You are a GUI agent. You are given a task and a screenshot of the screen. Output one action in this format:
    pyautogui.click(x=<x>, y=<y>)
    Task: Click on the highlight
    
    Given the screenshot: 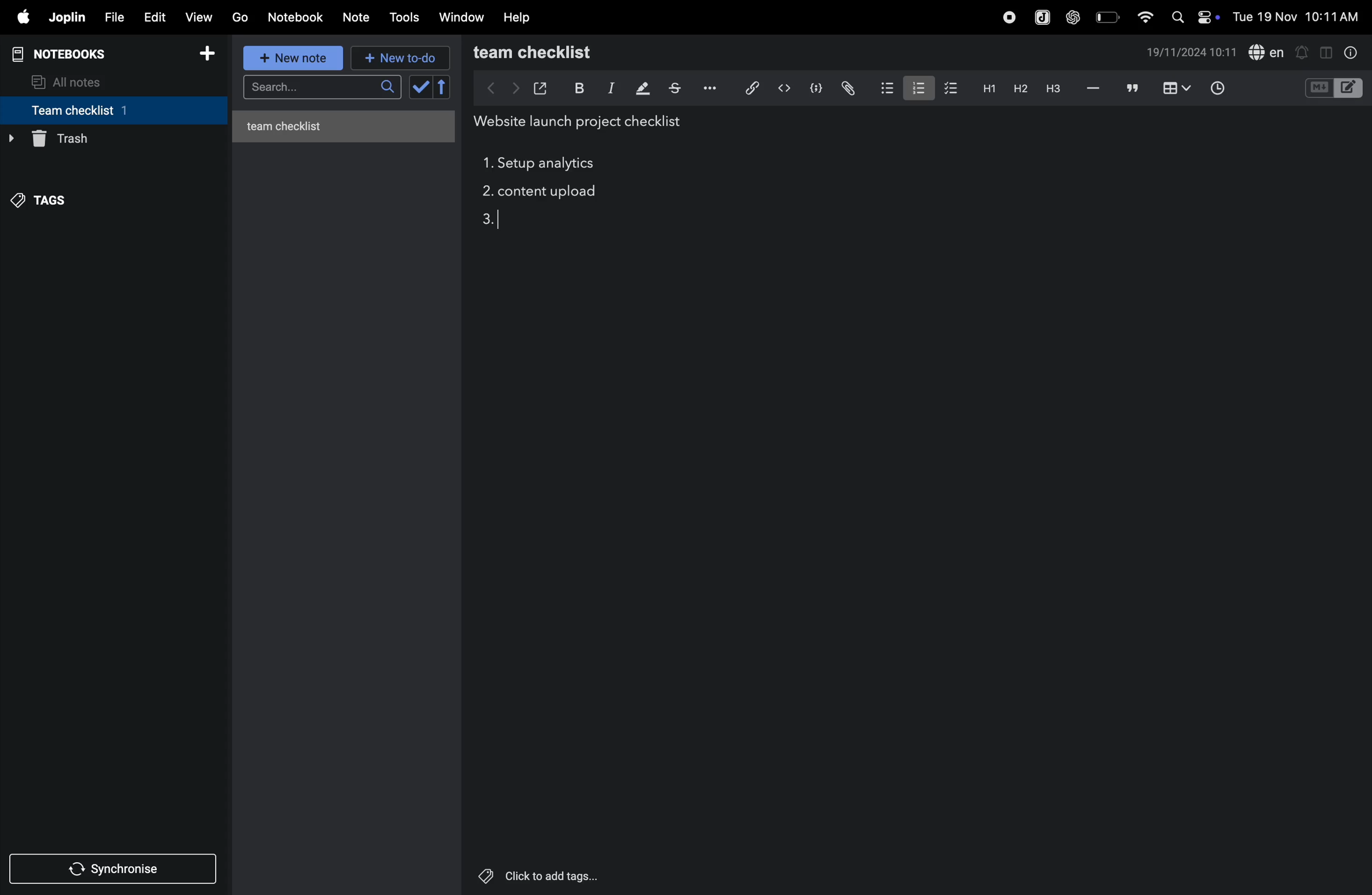 What is the action you would take?
    pyautogui.click(x=641, y=89)
    